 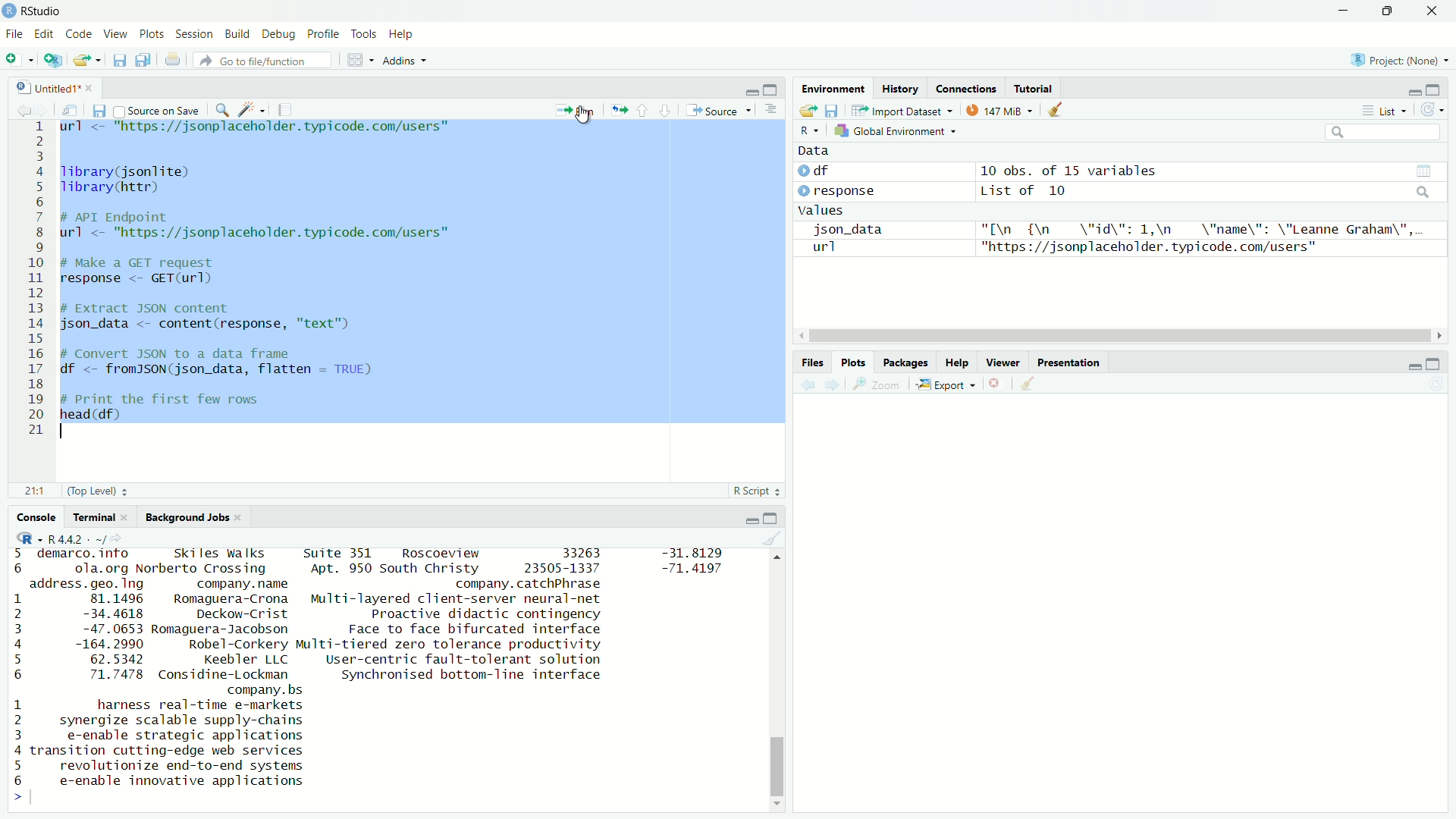 What do you see at coordinates (1438, 385) in the screenshot?
I see `Refresh` at bounding box center [1438, 385].